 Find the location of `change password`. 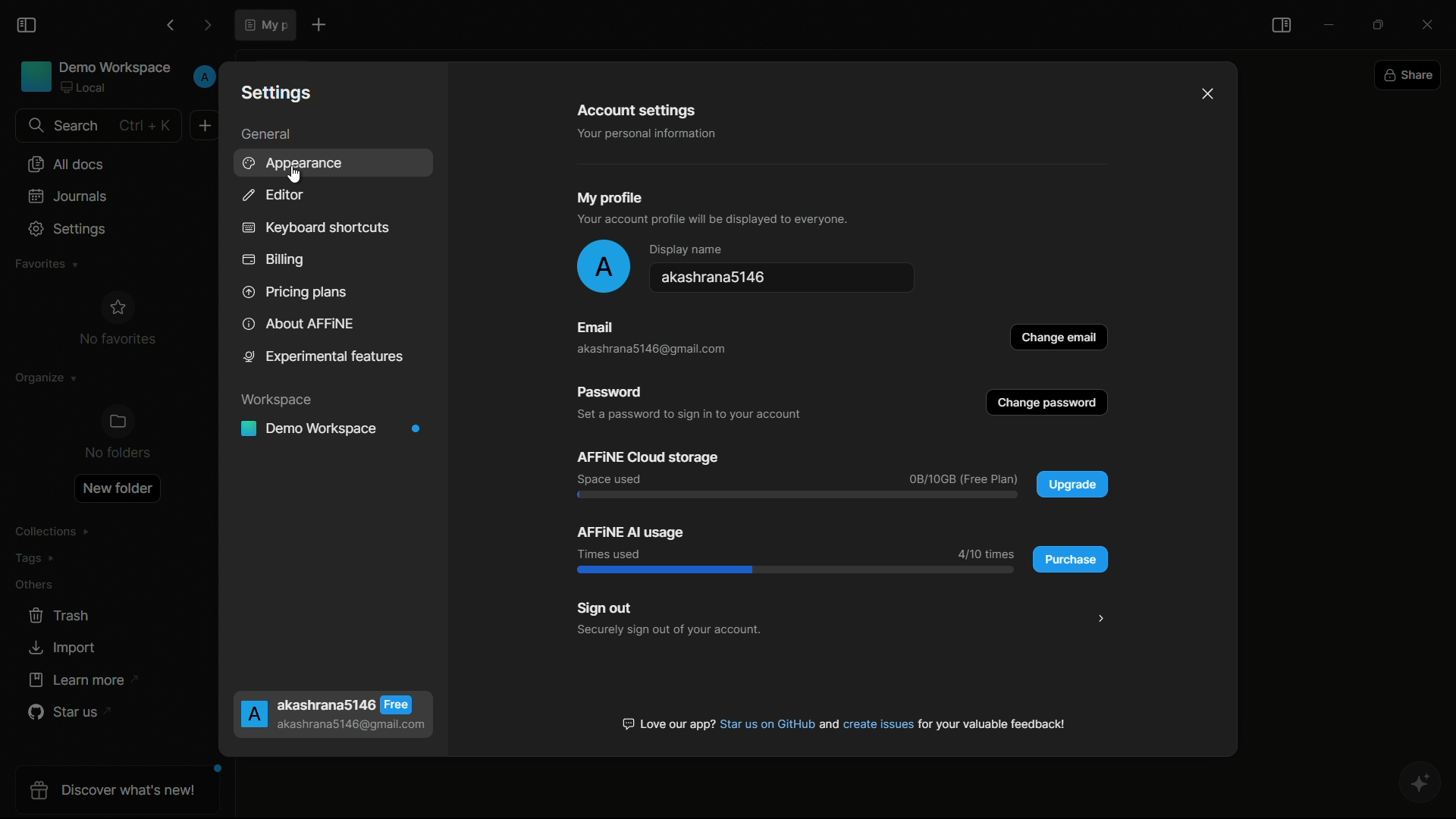

change password is located at coordinates (1048, 403).